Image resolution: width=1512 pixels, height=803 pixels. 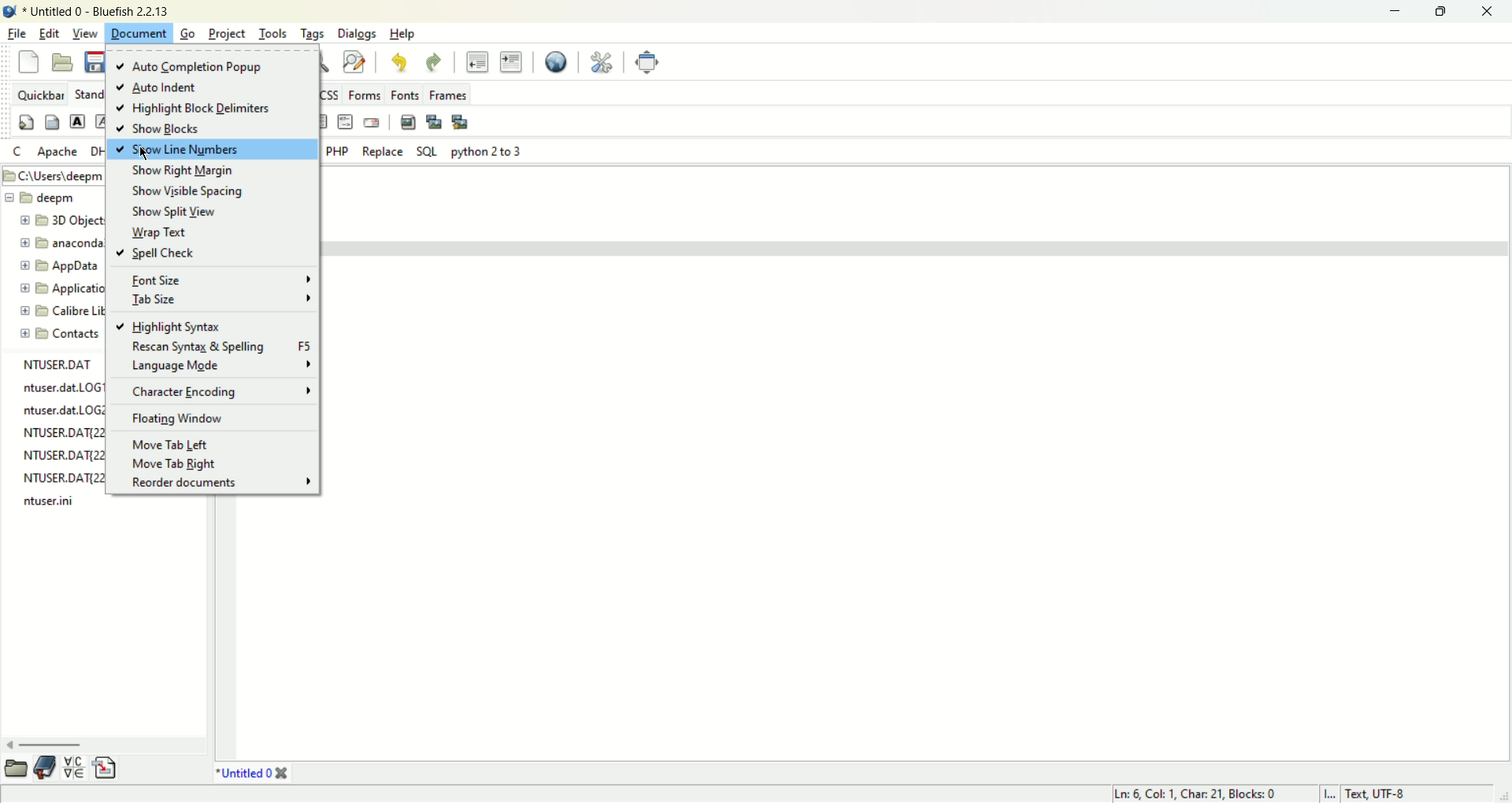 What do you see at coordinates (435, 121) in the screenshot?
I see `insert thumbnail` at bounding box center [435, 121].